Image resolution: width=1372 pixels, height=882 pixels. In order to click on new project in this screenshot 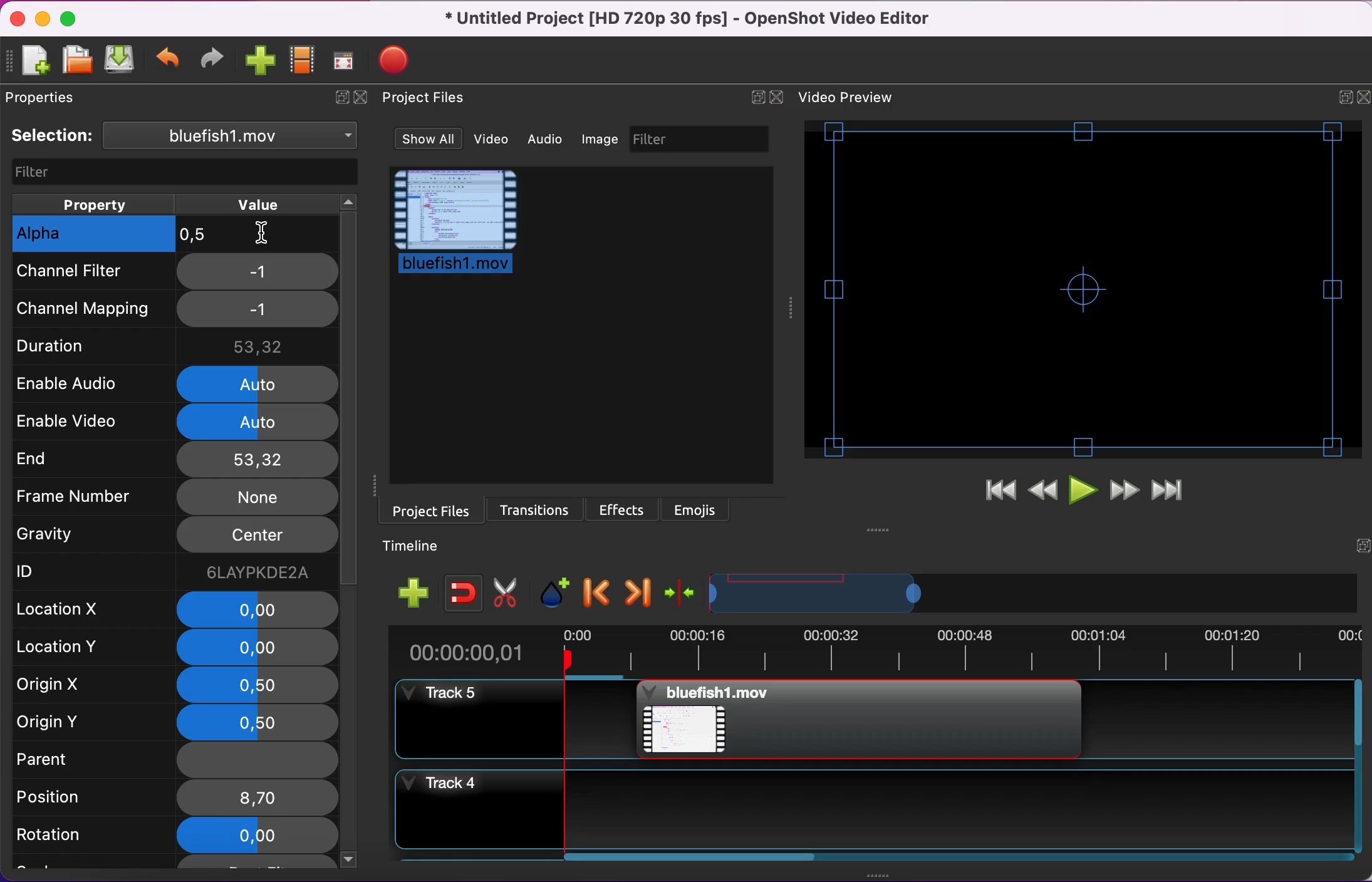, I will do `click(33, 64)`.